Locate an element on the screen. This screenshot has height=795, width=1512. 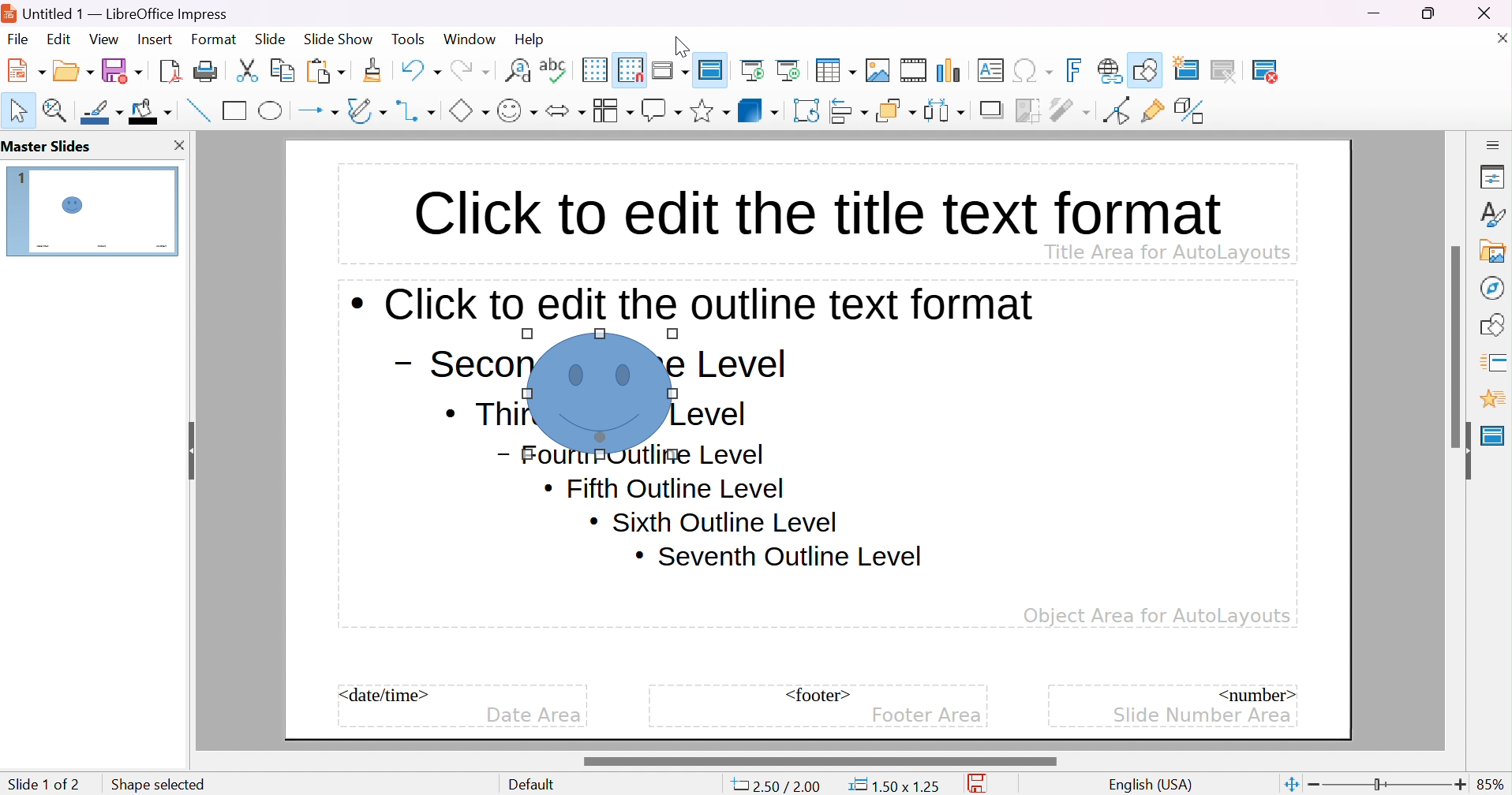
undo is located at coordinates (419, 68).